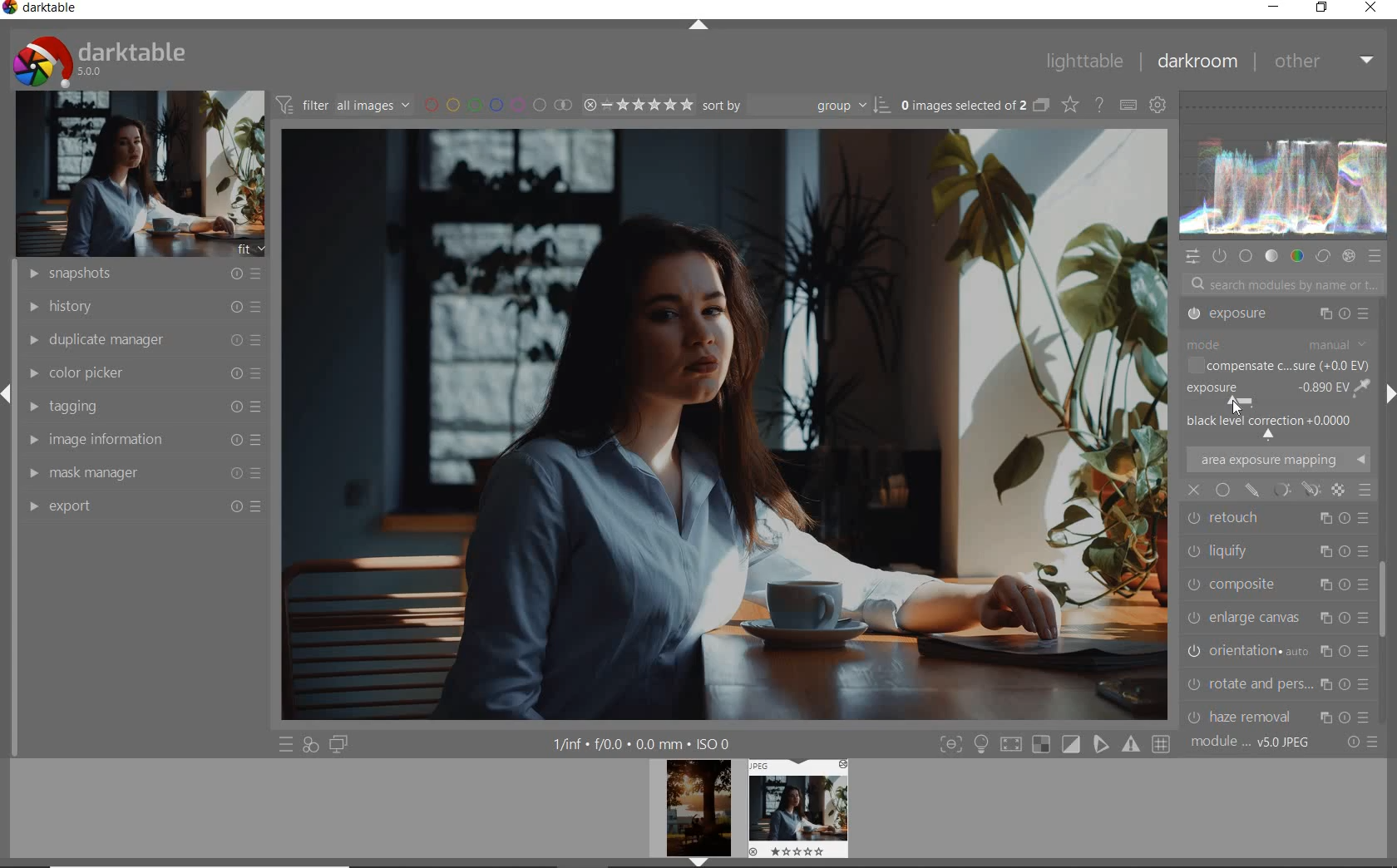  I want to click on LENS CORRECTION, so click(1278, 679).